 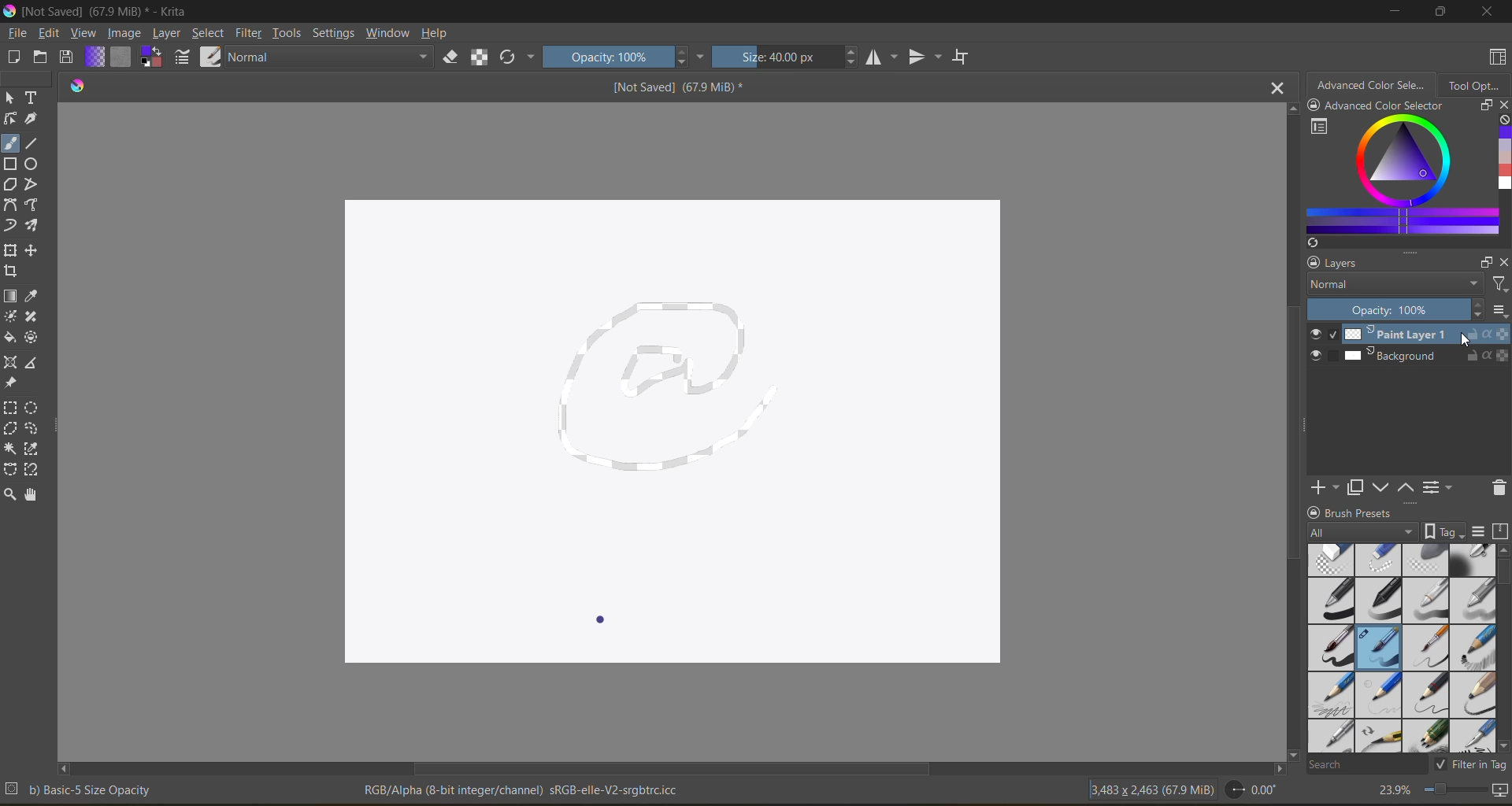 What do you see at coordinates (480, 57) in the screenshot?
I see `preserve alpha` at bounding box center [480, 57].